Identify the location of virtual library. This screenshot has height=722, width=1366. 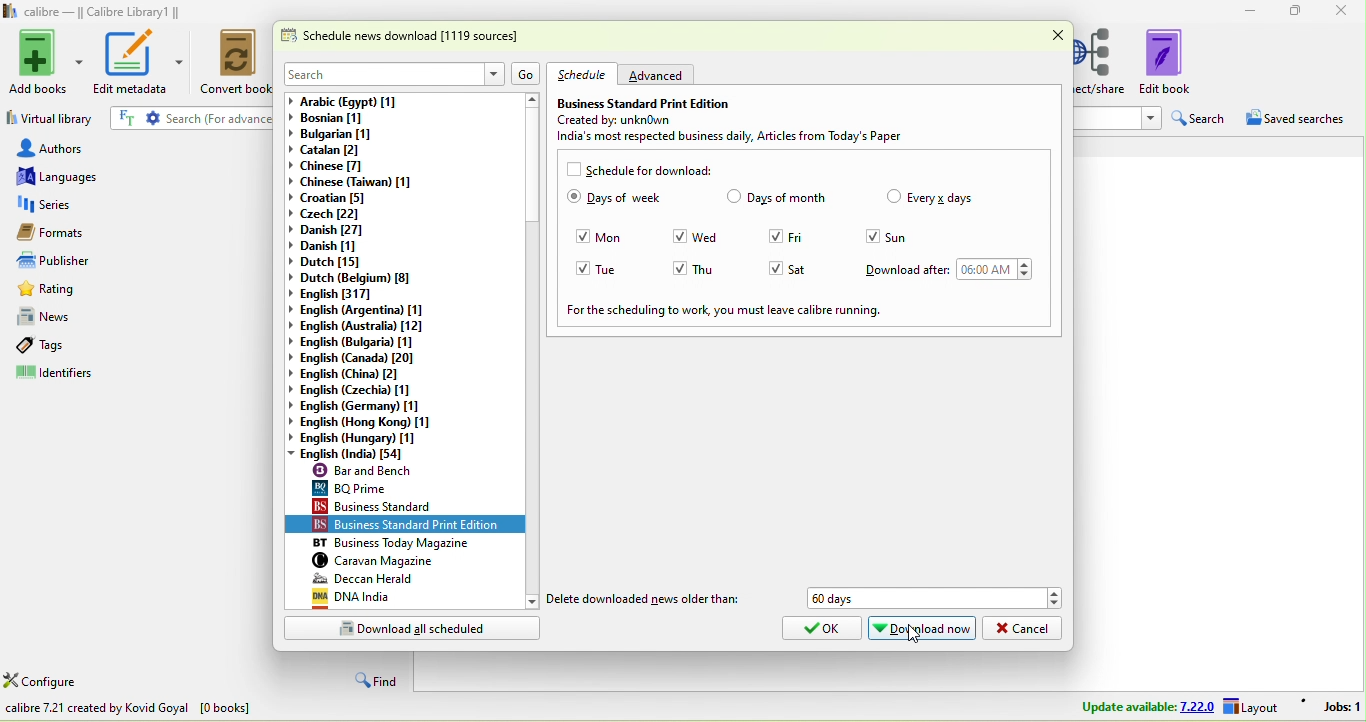
(51, 117).